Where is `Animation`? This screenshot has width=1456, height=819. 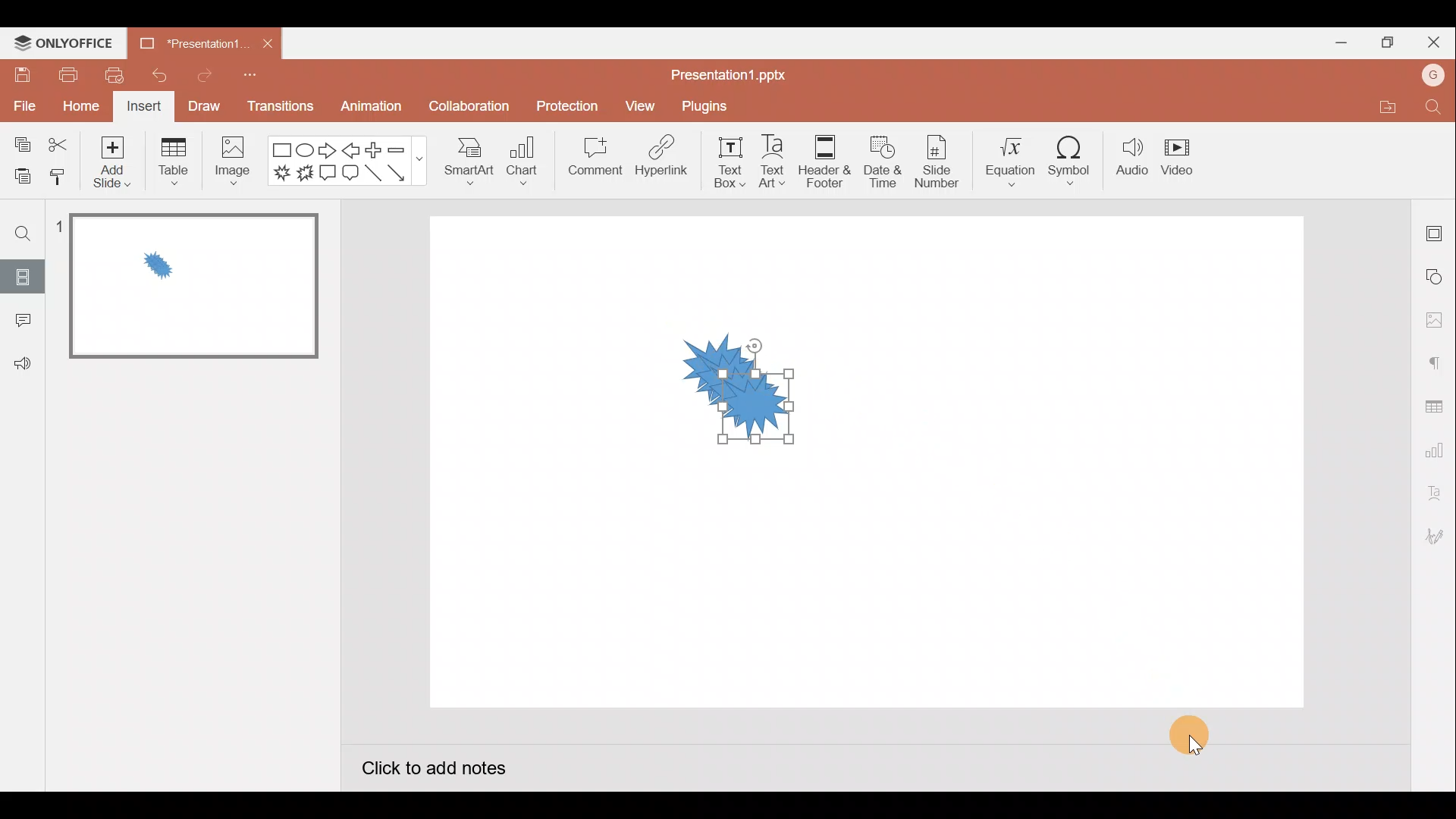 Animation is located at coordinates (368, 109).